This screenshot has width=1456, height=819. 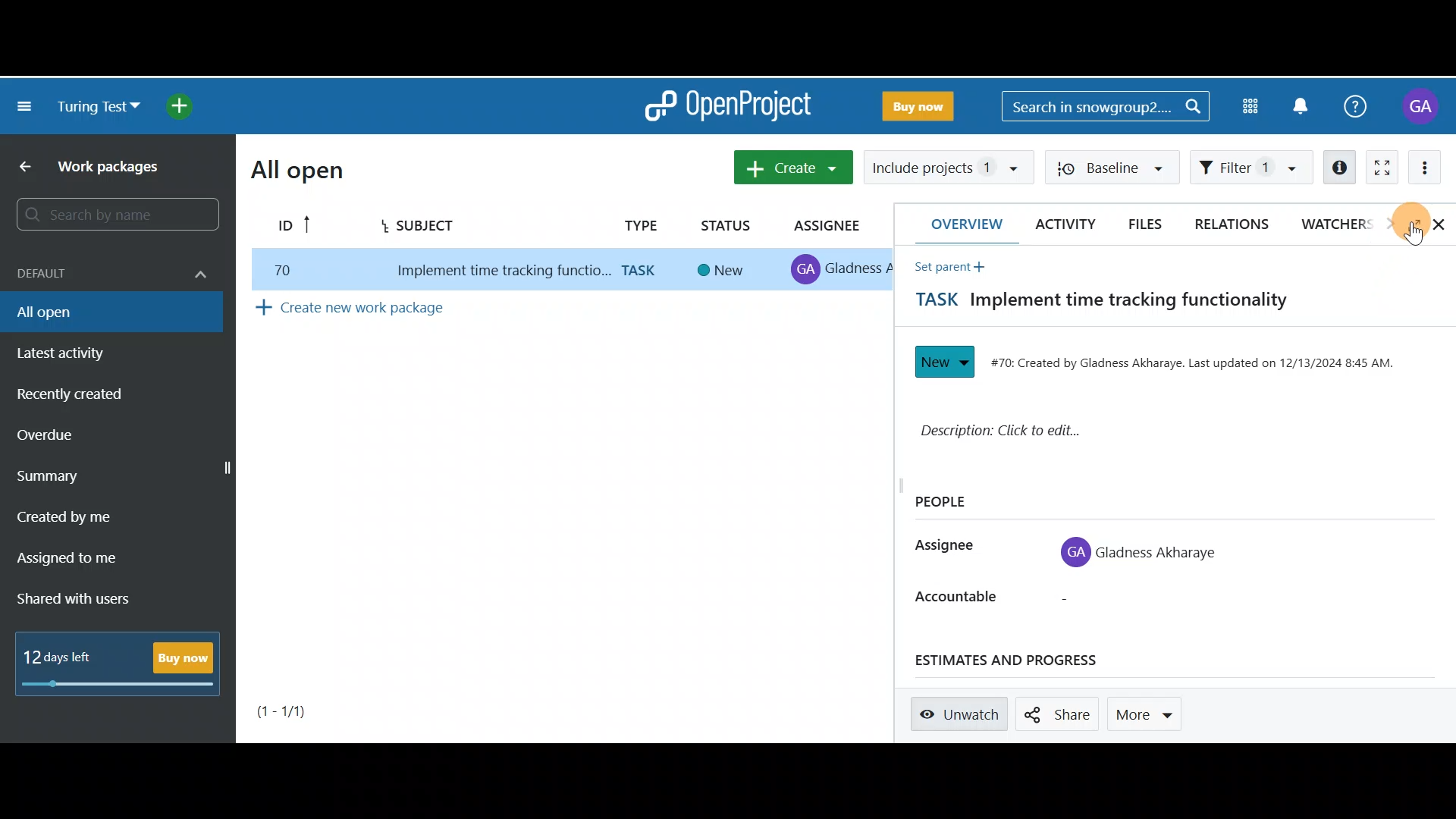 What do you see at coordinates (101, 311) in the screenshot?
I see `All open` at bounding box center [101, 311].